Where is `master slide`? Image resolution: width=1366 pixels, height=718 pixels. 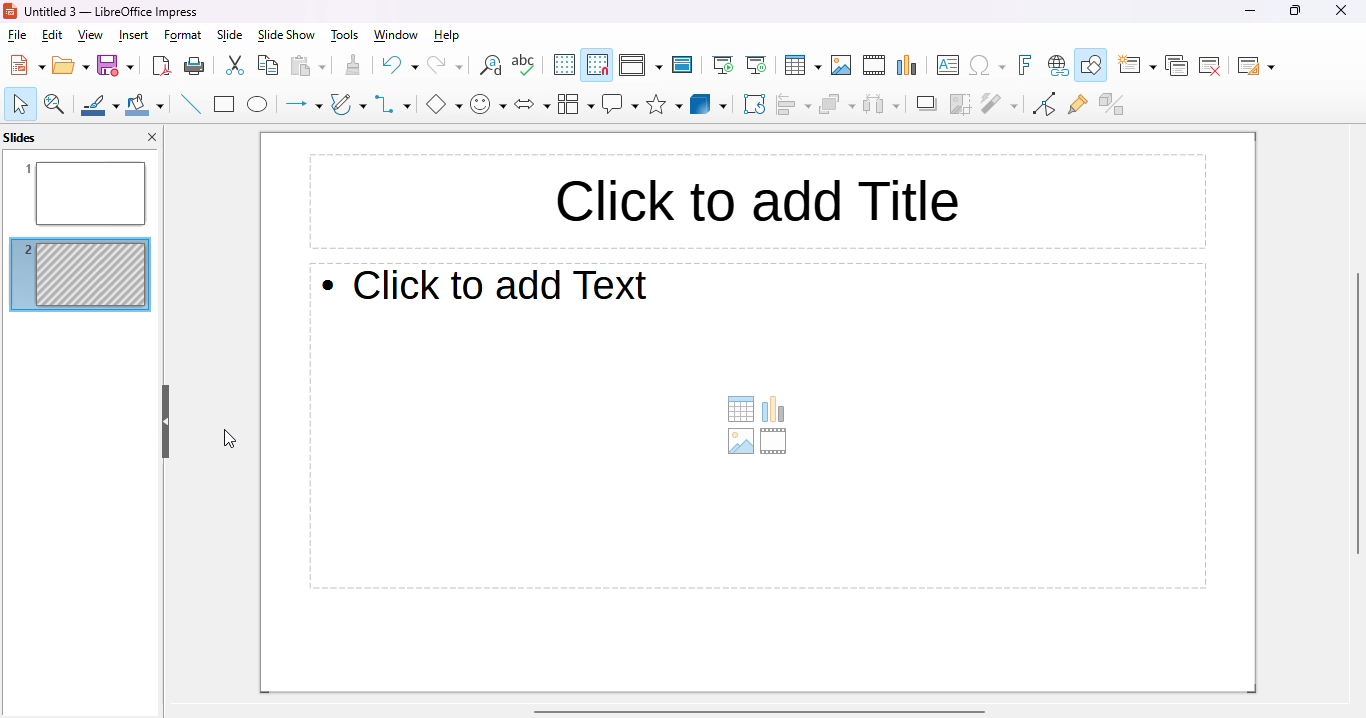
master slide is located at coordinates (682, 65).